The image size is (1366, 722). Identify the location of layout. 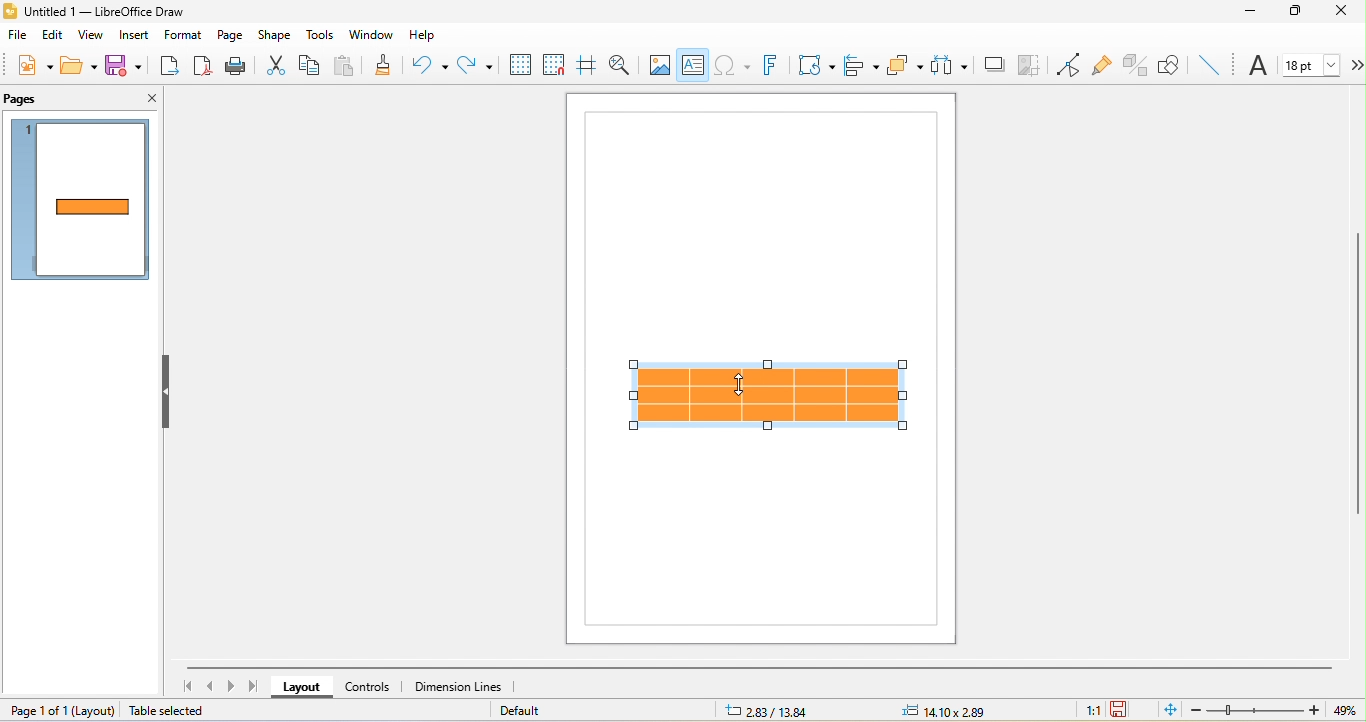
(305, 688).